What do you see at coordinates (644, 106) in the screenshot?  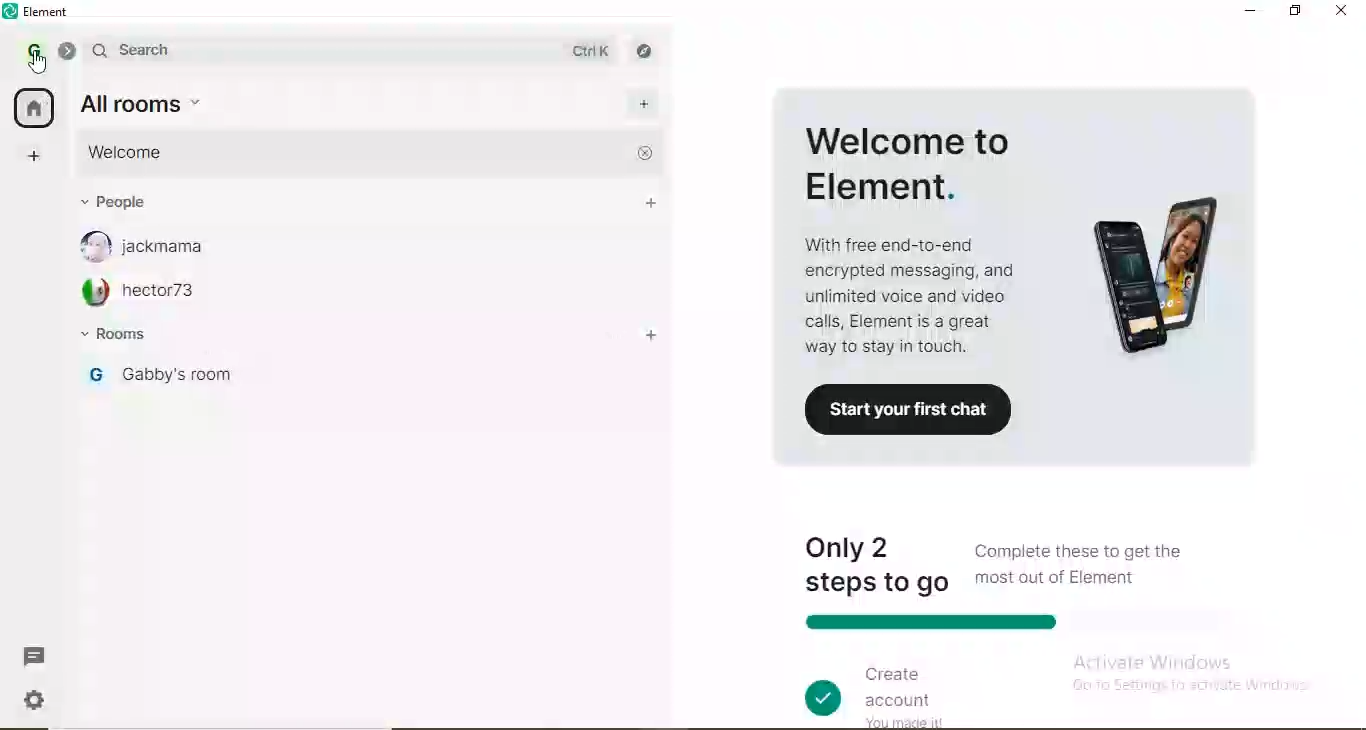 I see `add room` at bounding box center [644, 106].